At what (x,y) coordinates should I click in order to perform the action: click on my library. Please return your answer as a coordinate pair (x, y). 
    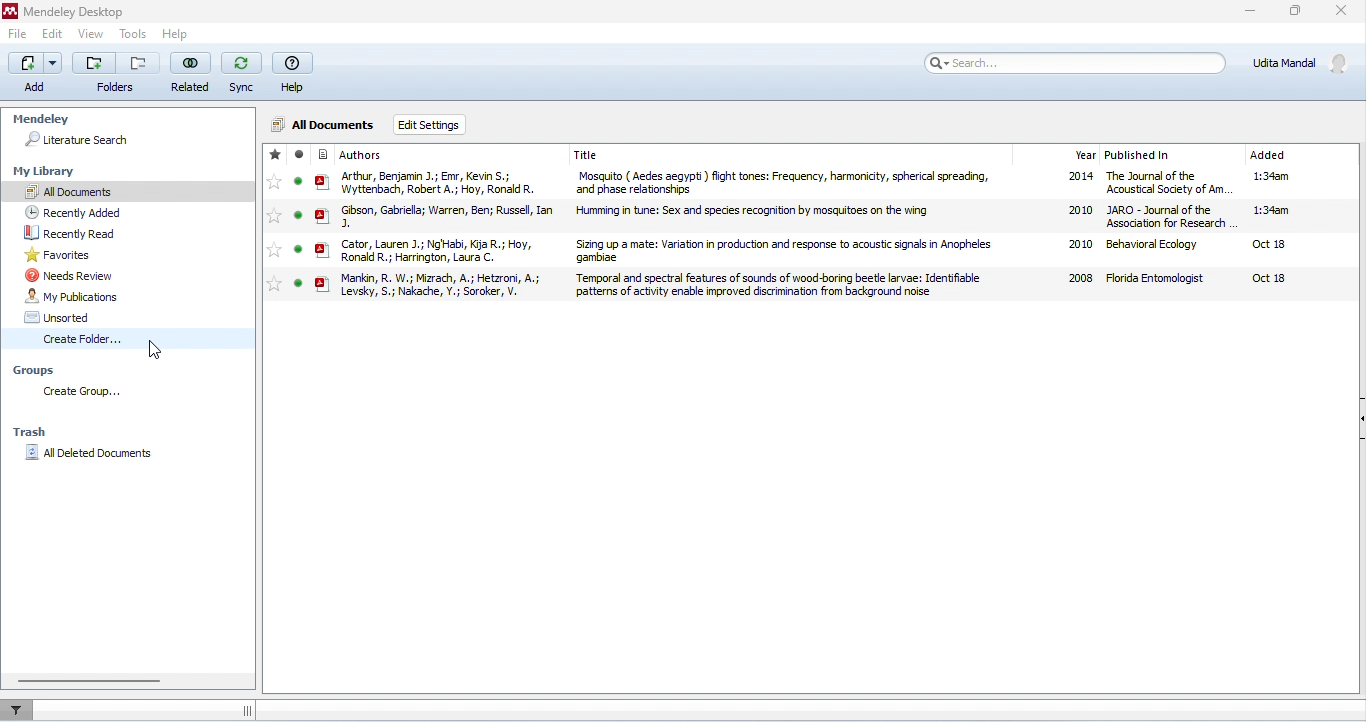
    Looking at the image, I should click on (47, 172).